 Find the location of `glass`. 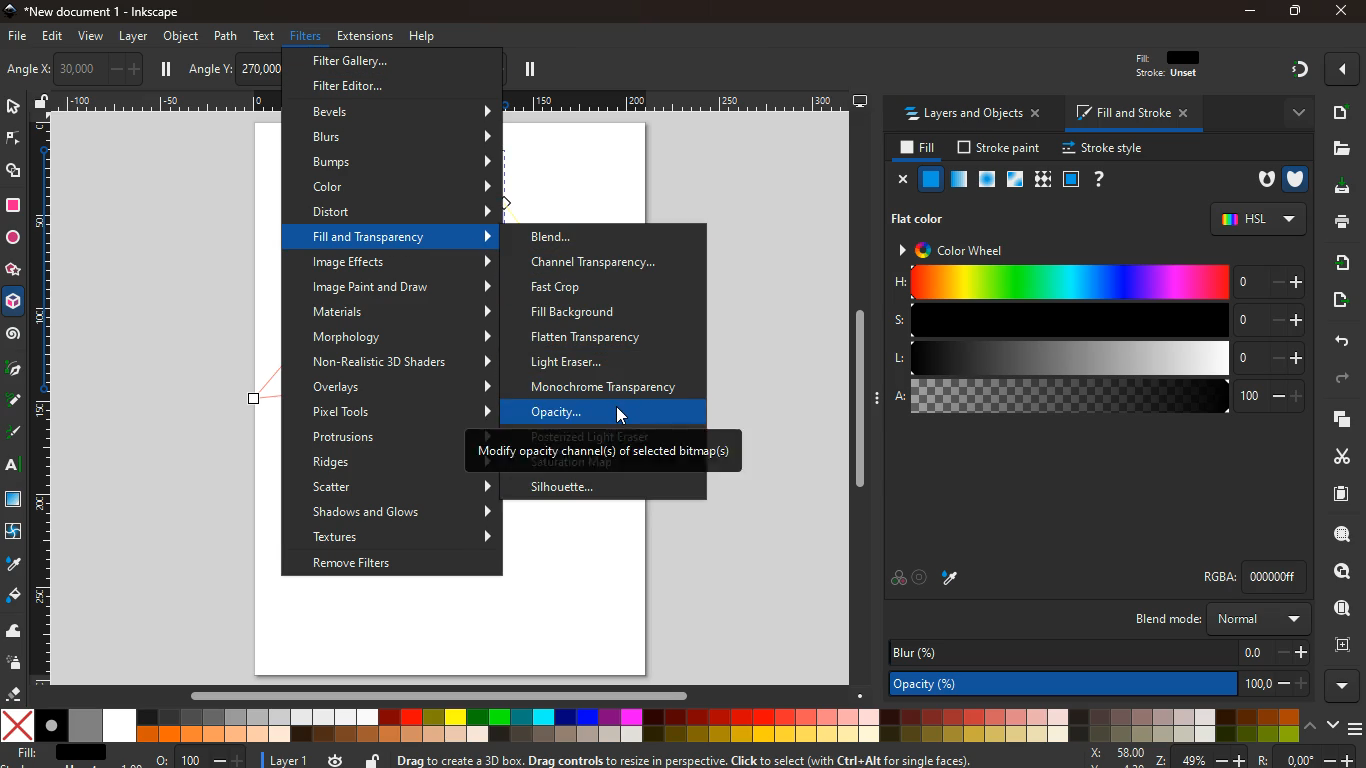

glass is located at coordinates (1013, 180).